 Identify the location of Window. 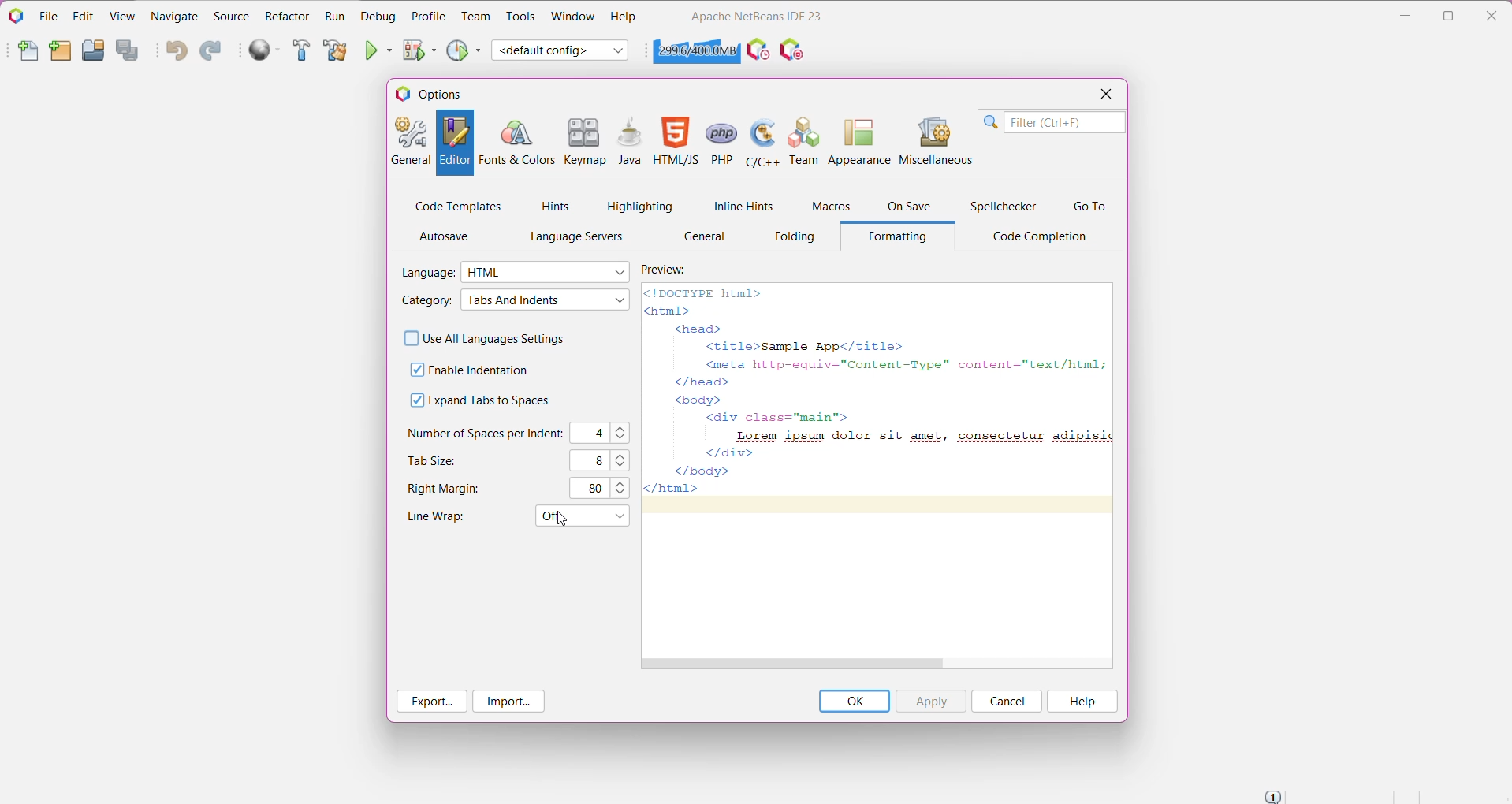
(572, 16).